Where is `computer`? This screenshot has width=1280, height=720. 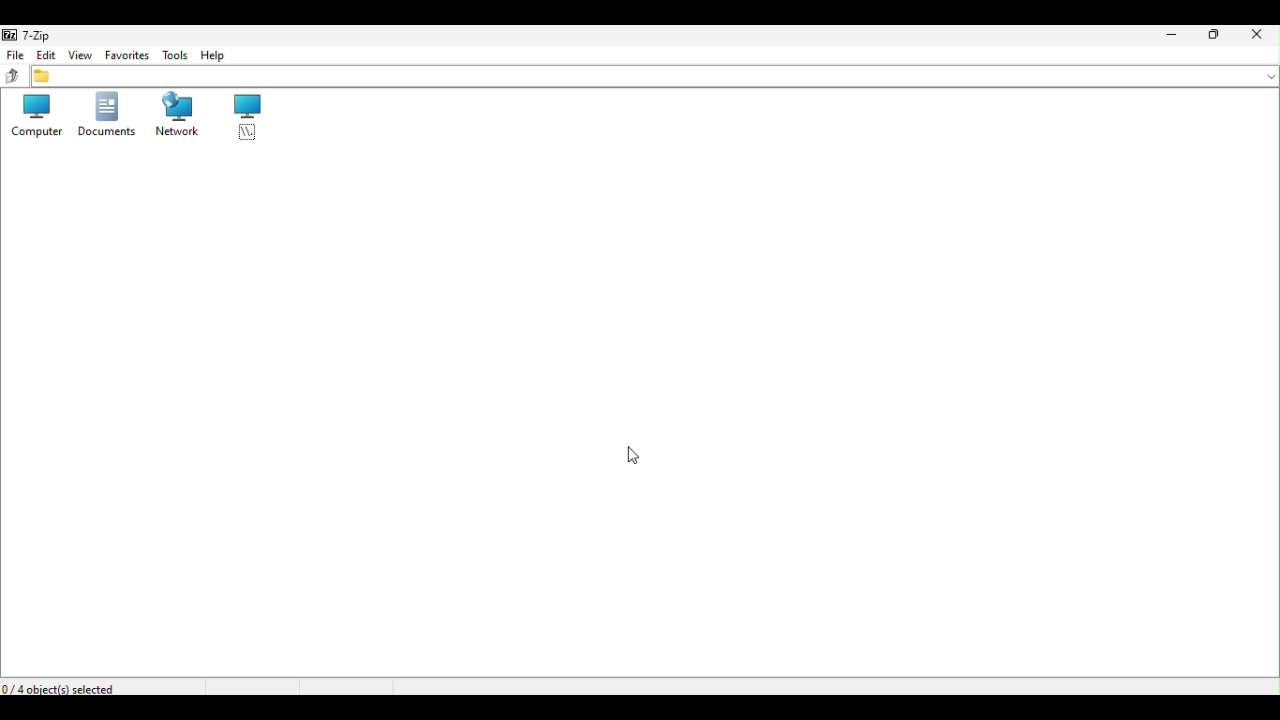
computer is located at coordinates (35, 114).